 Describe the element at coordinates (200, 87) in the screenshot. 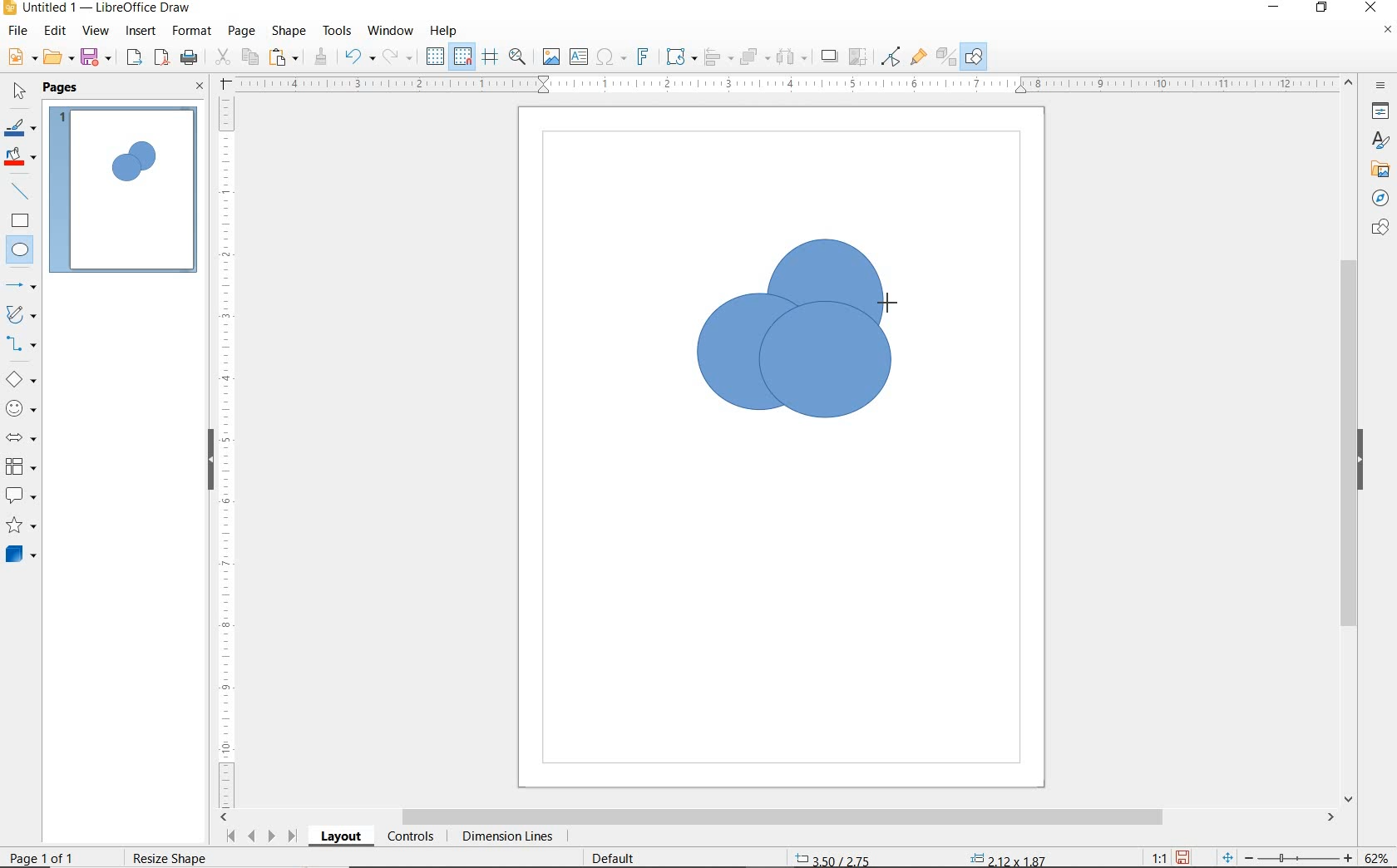

I see `CLOSE` at that location.